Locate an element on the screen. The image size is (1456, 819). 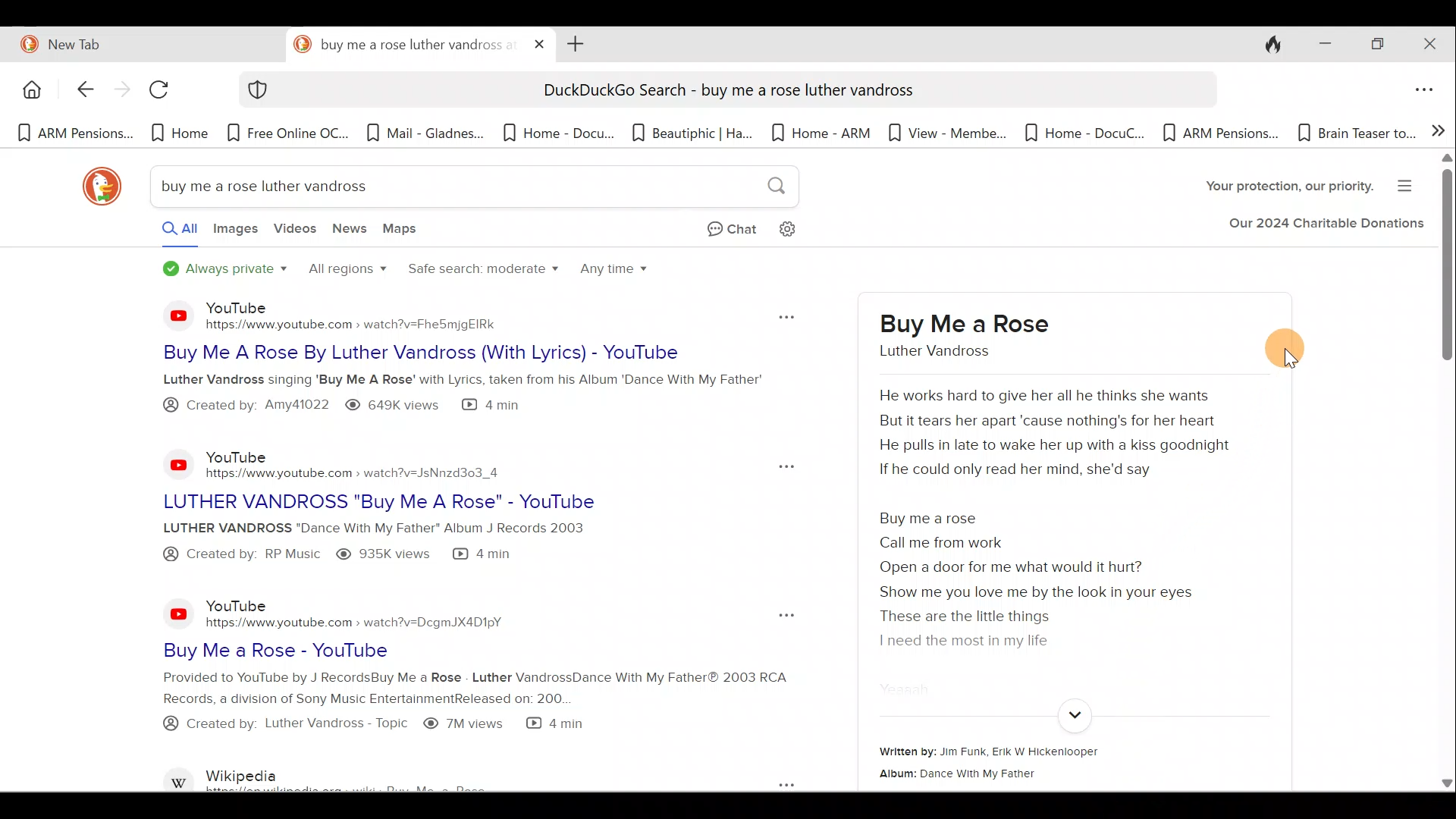
Buy Me A Rose By Luther Vandross (With Lyrics) - YouTube is located at coordinates (444, 353).